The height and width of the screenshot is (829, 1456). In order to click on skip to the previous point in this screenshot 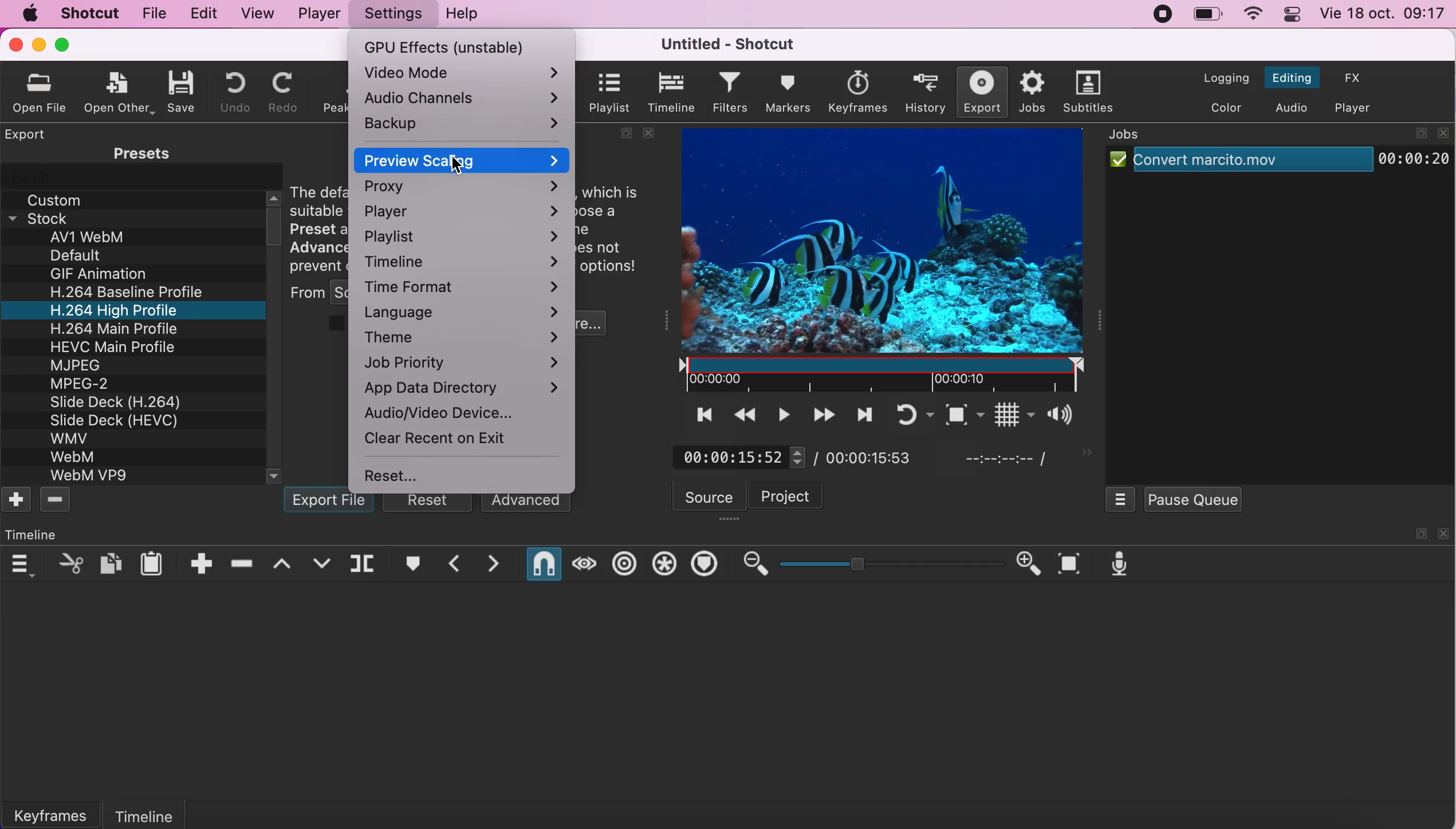, I will do `click(698, 414)`.